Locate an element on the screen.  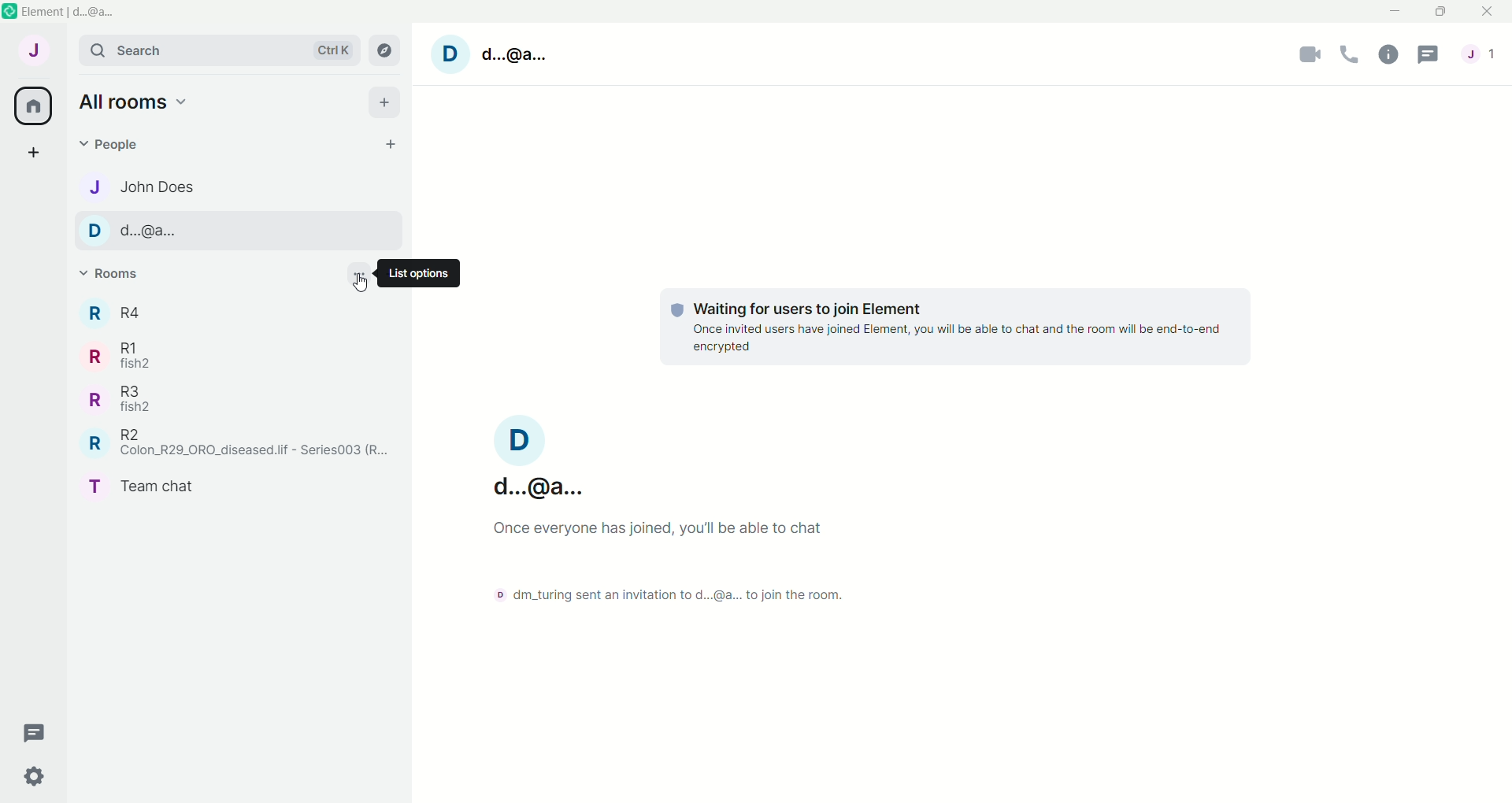
Close is located at coordinates (1488, 12).